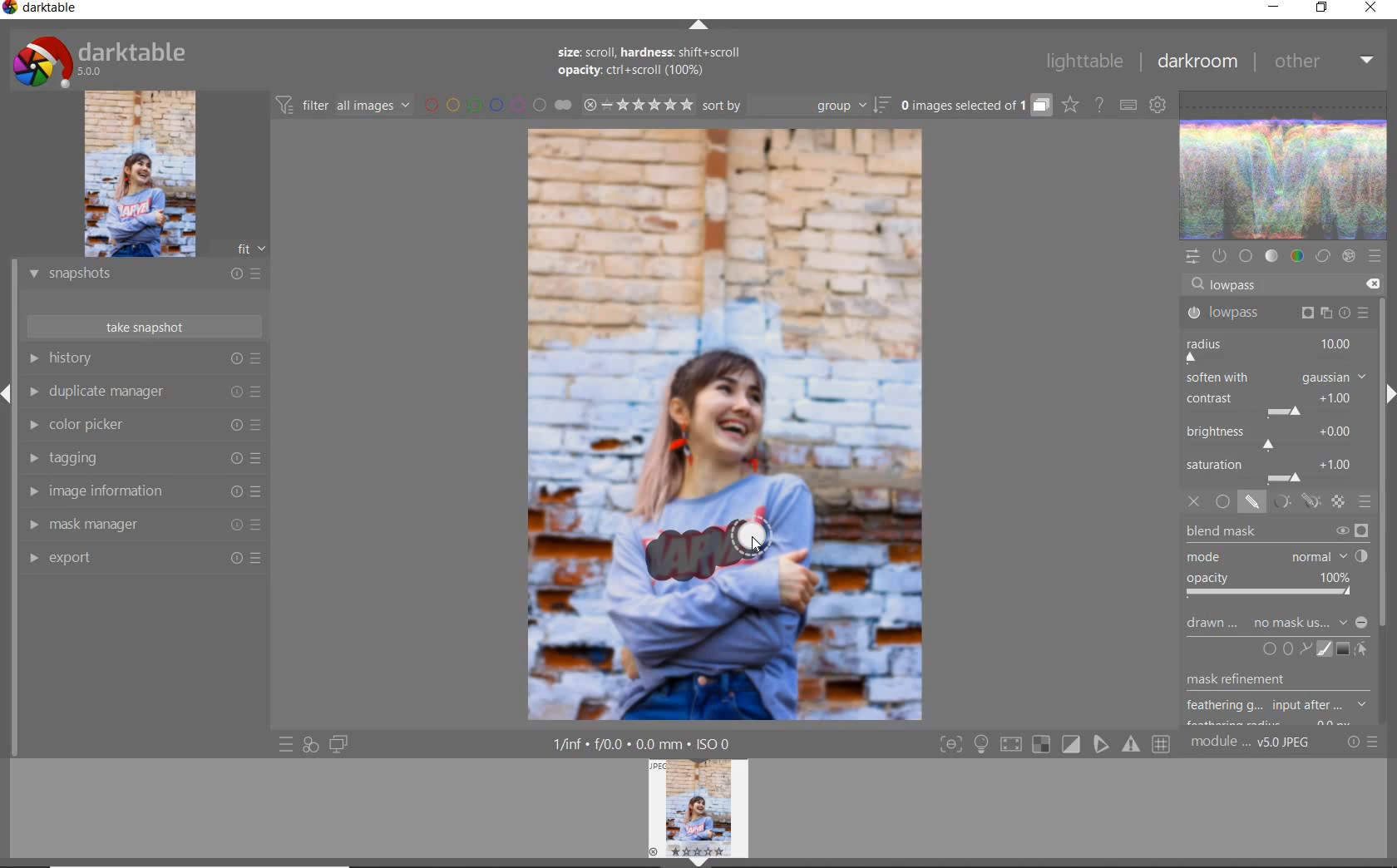 This screenshot has height=868, width=1397. What do you see at coordinates (1266, 682) in the screenshot?
I see `musk refinement` at bounding box center [1266, 682].